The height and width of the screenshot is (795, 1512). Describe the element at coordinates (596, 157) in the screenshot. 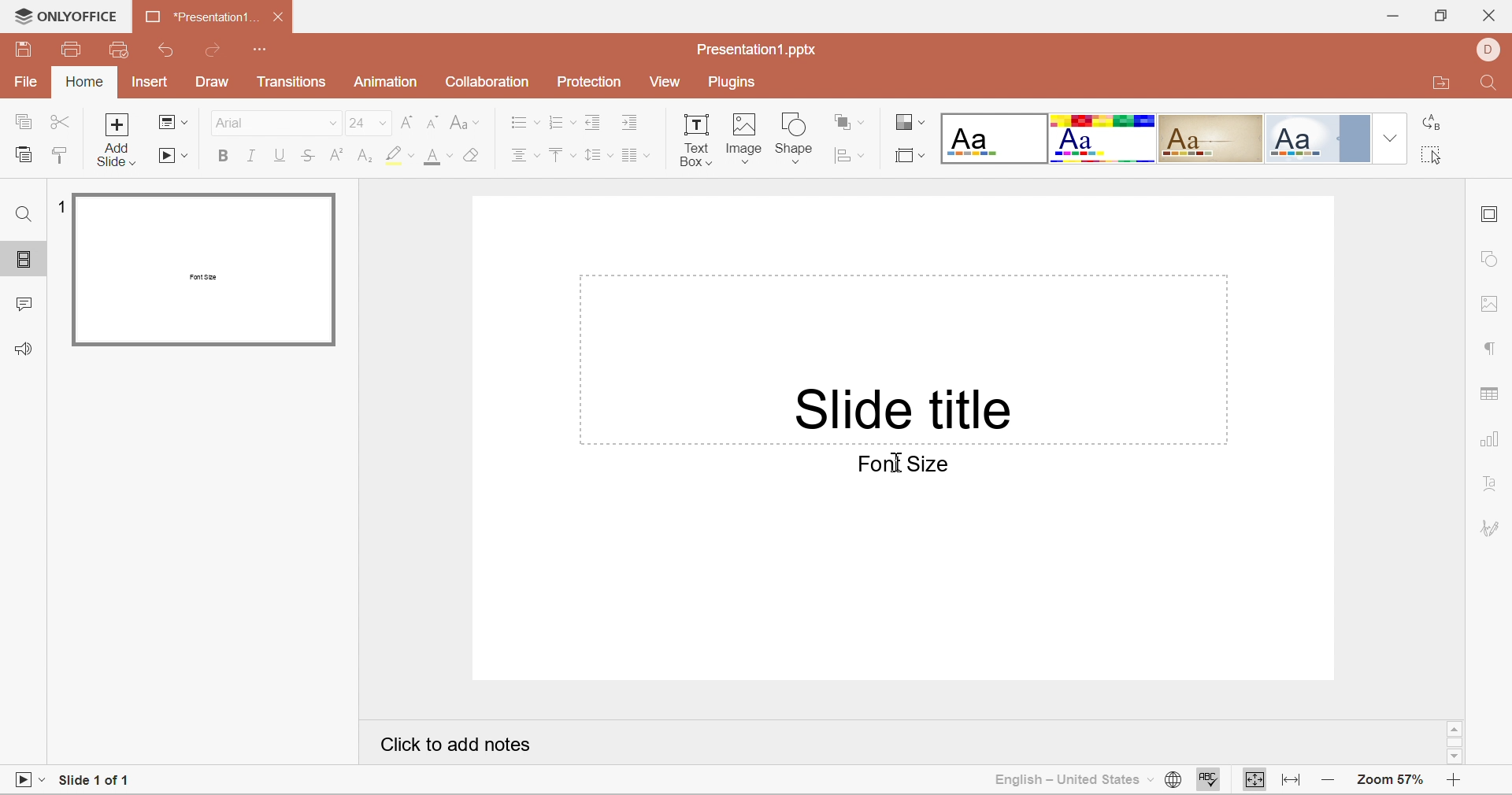

I see `Line spacing` at that location.